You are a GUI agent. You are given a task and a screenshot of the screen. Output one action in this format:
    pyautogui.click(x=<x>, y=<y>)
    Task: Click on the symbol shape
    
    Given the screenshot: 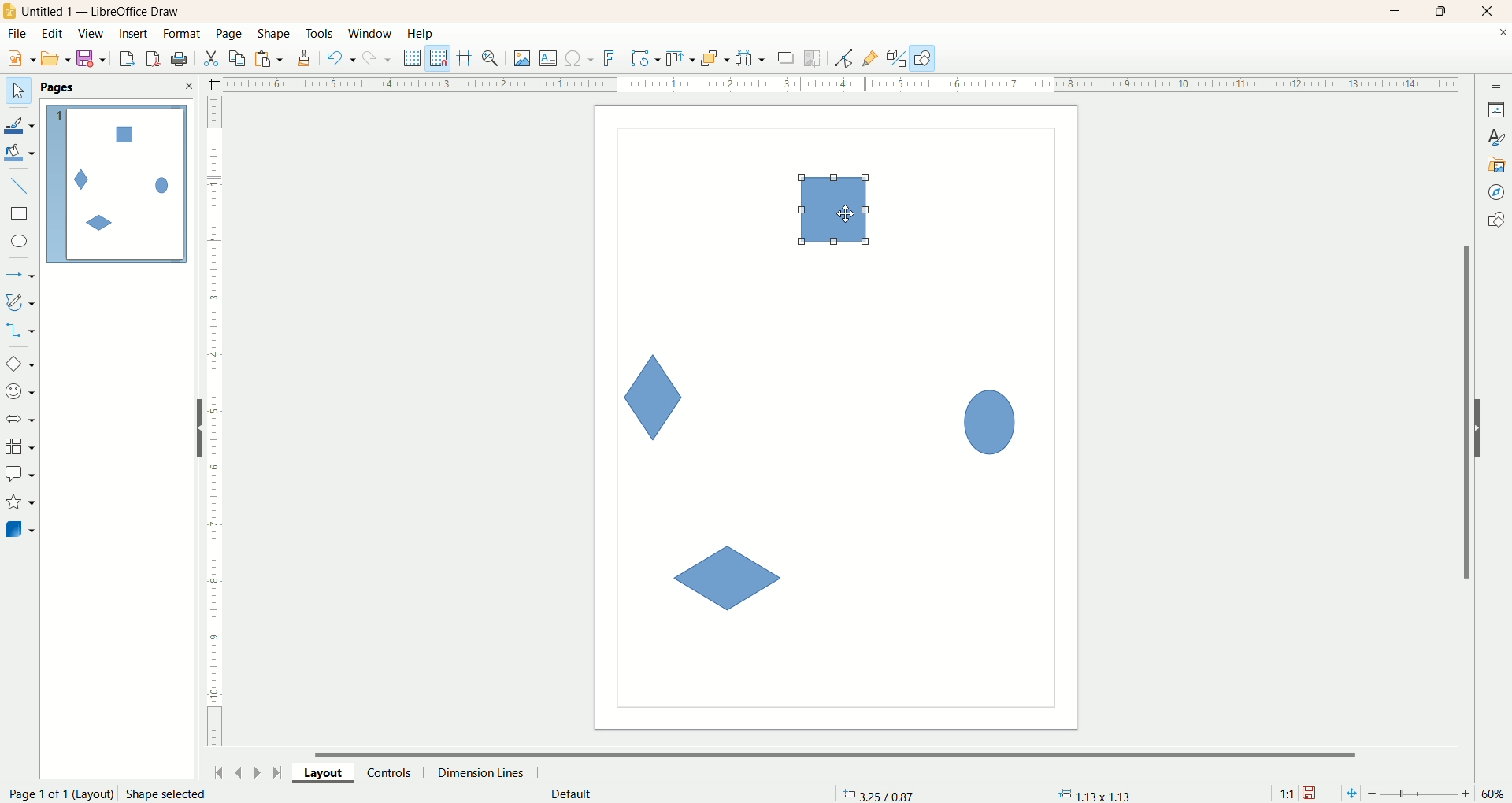 What is the action you would take?
    pyautogui.click(x=22, y=393)
    